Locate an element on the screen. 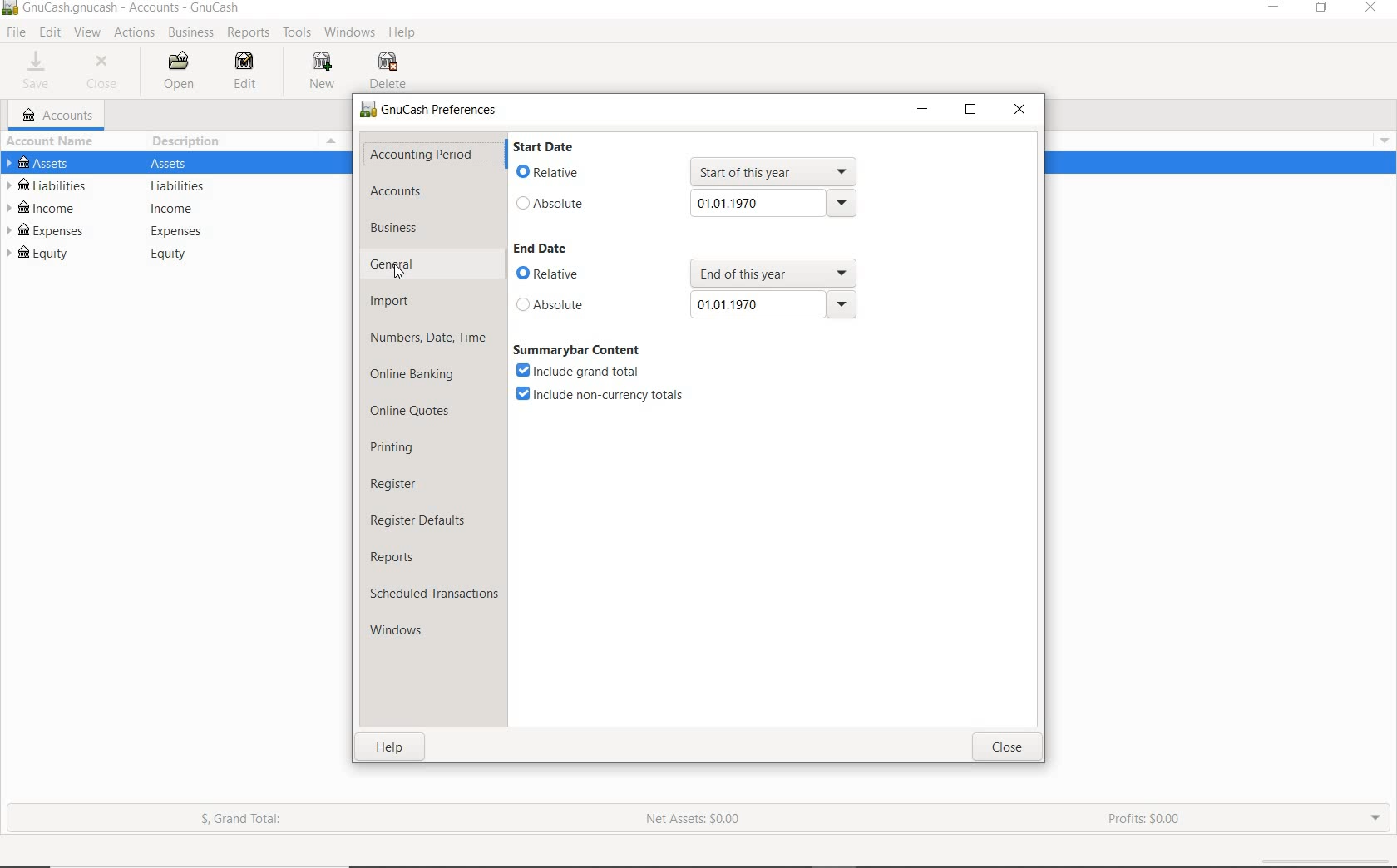  01.01.1970 is located at coordinates (777, 206).